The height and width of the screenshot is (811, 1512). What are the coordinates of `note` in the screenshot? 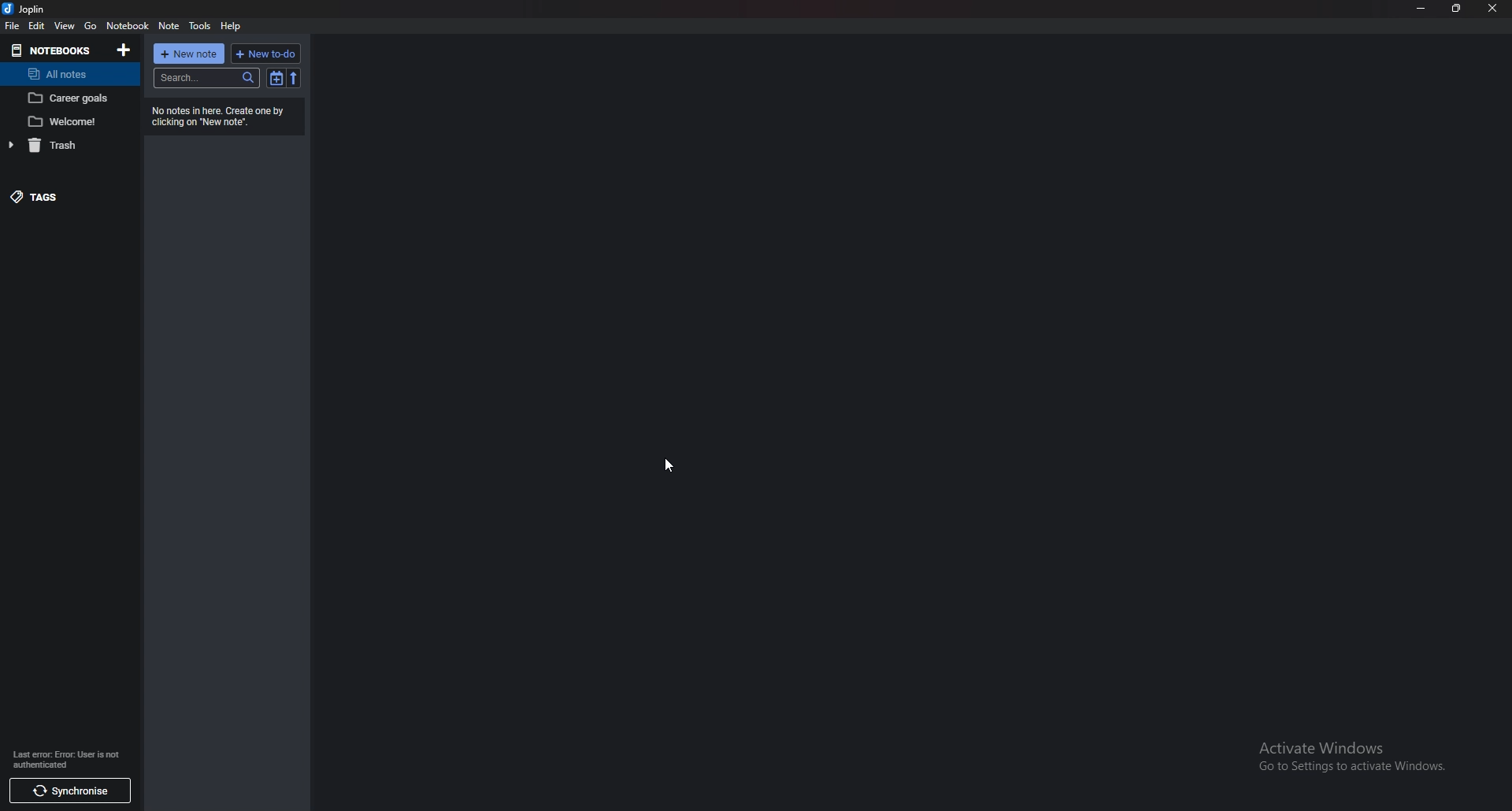 It's located at (169, 26).